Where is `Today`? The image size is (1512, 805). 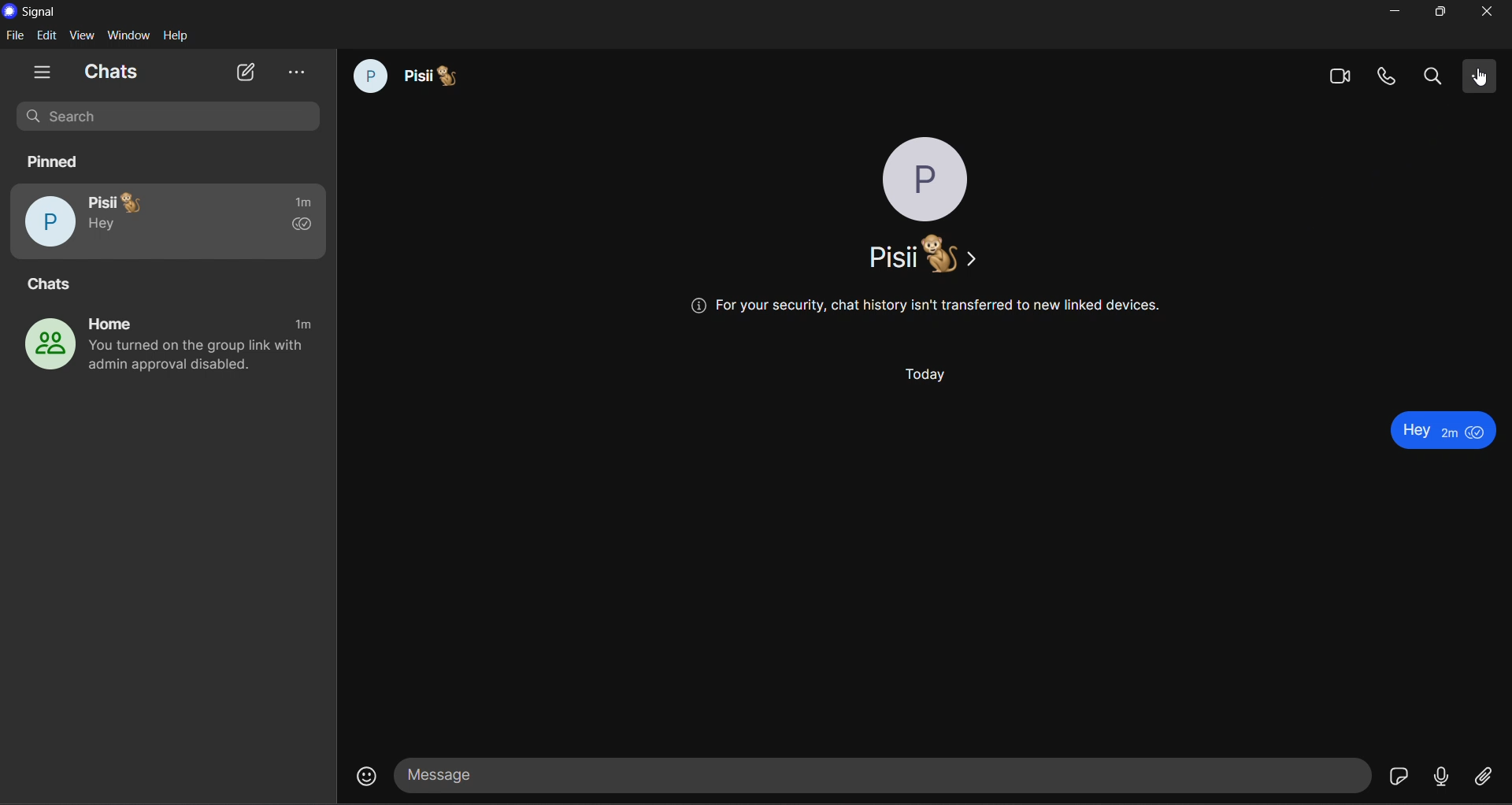
Today is located at coordinates (930, 375).